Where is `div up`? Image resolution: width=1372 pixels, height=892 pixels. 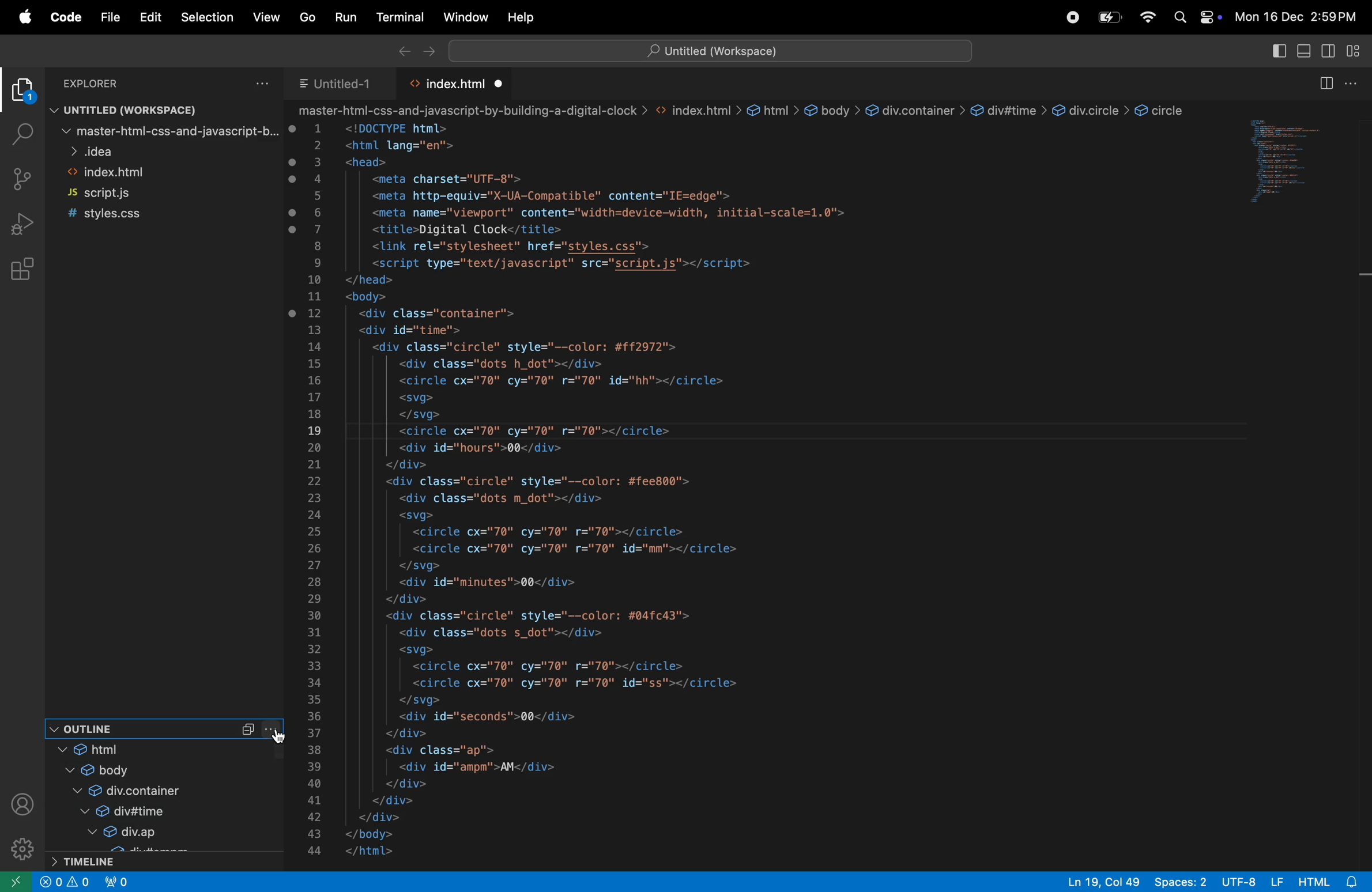 div up is located at coordinates (148, 834).